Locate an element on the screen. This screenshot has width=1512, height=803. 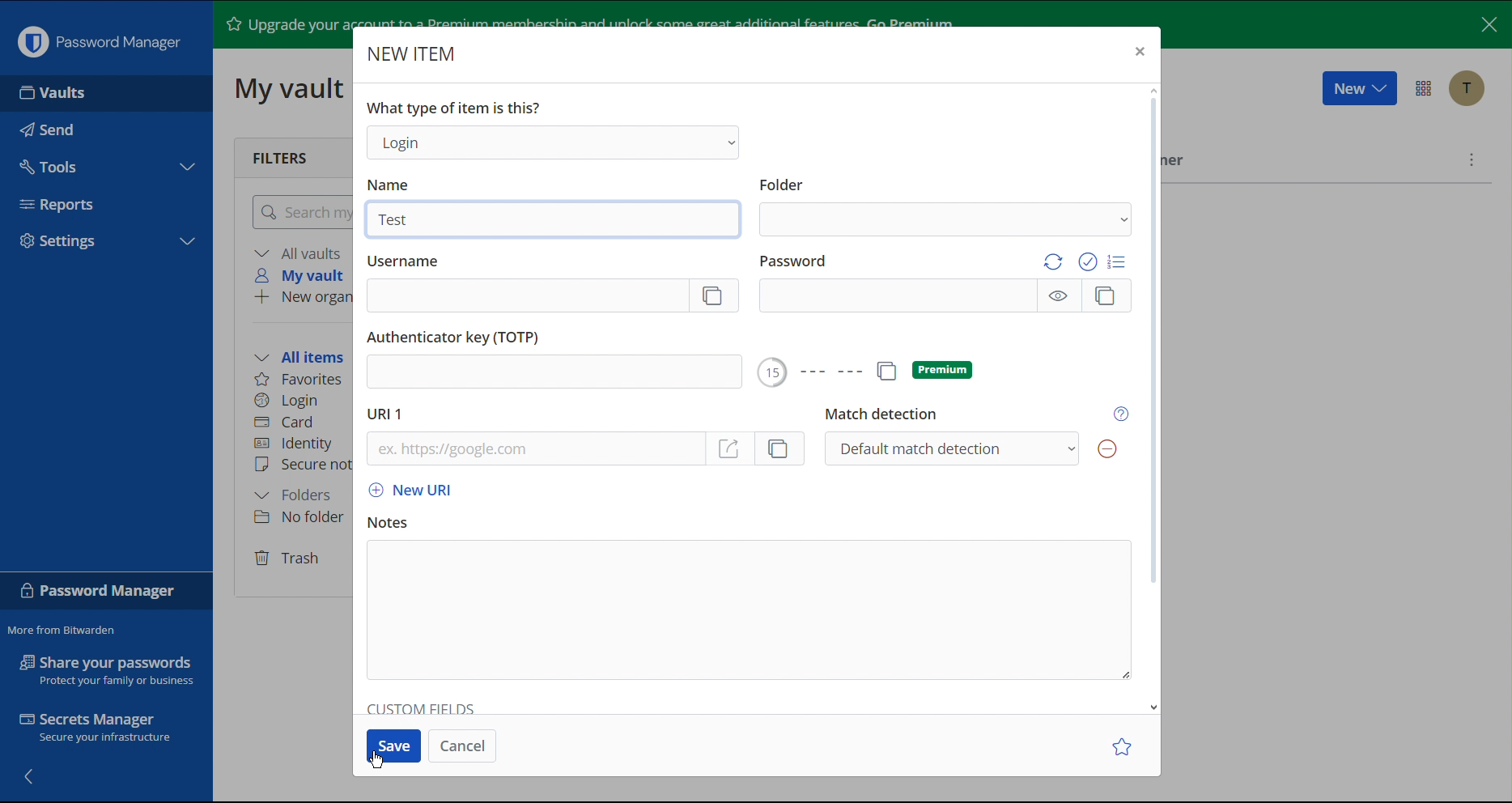
Search my vault is located at coordinates (301, 211).